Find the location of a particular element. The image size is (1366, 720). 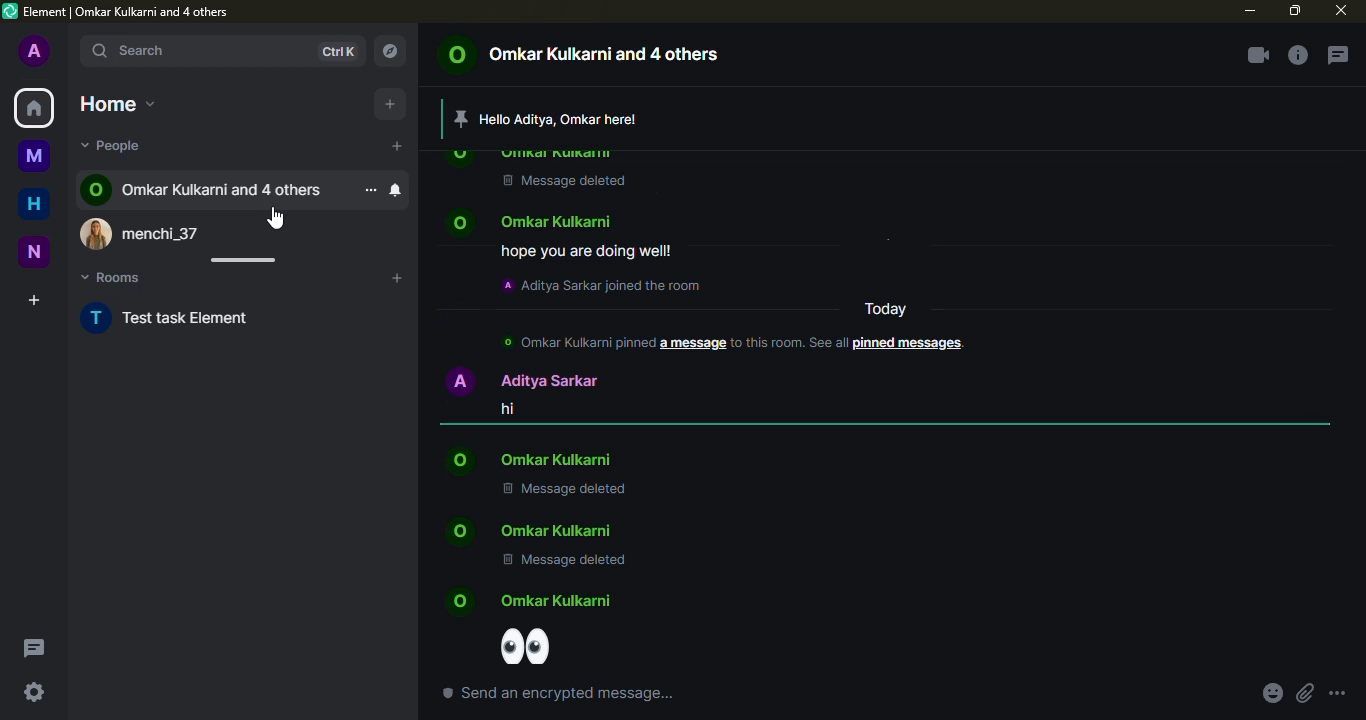

to this room. see all is located at coordinates (791, 343).